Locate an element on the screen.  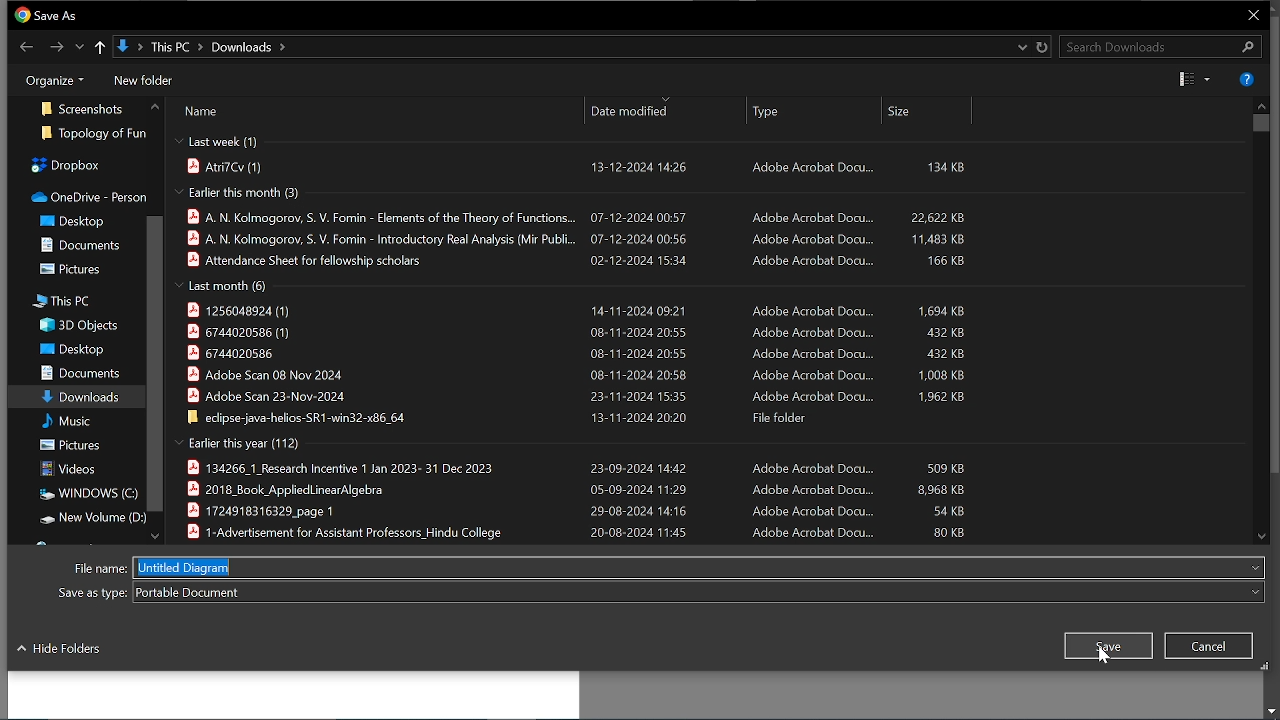
) 6744020586 (1) is located at coordinates (240, 332).